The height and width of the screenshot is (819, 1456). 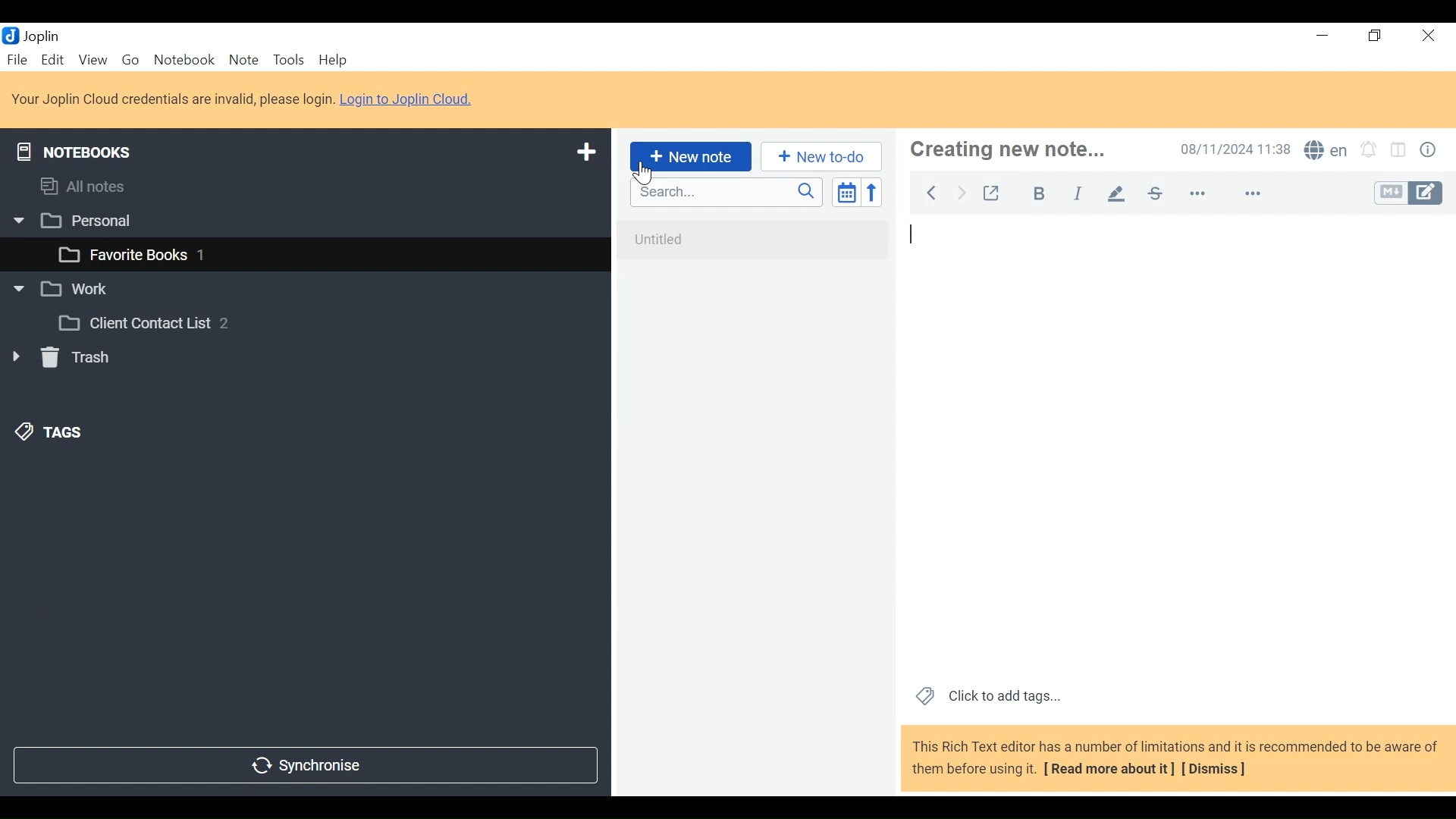 I want to click on Highlight, so click(x=1116, y=194).